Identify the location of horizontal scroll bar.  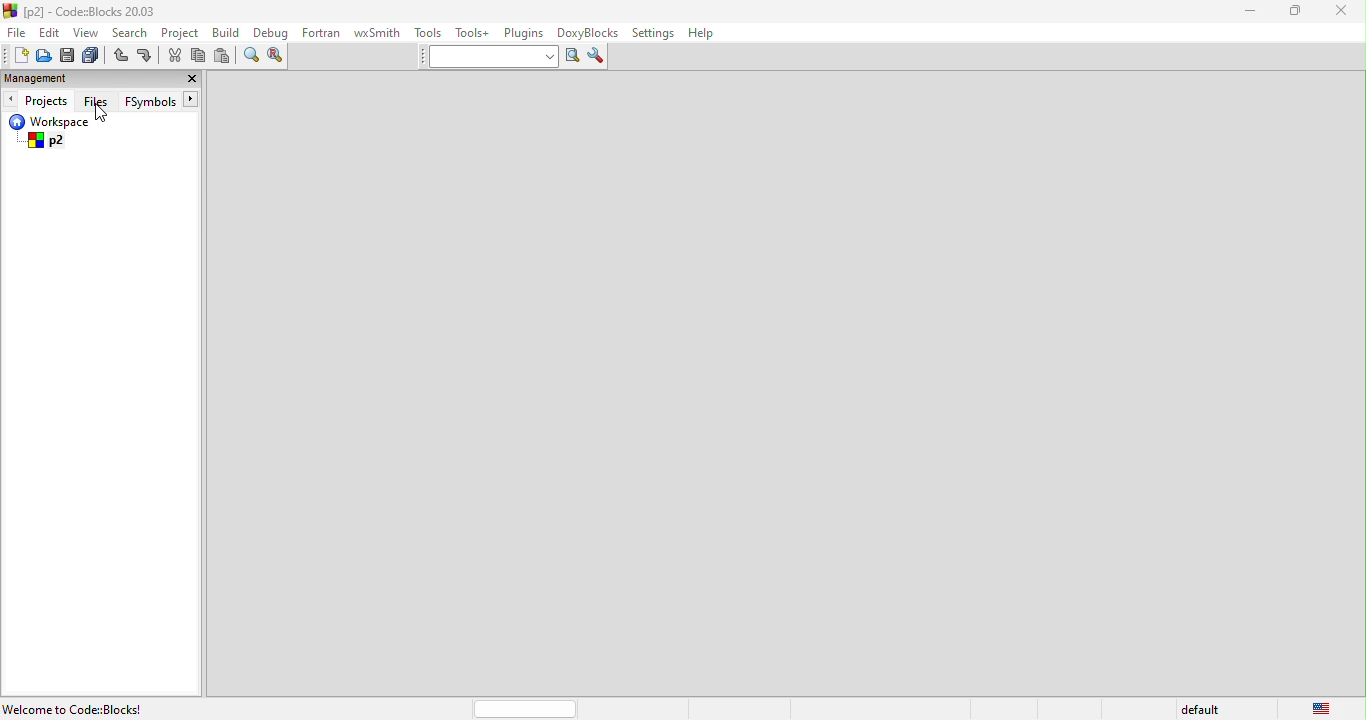
(522, 708).